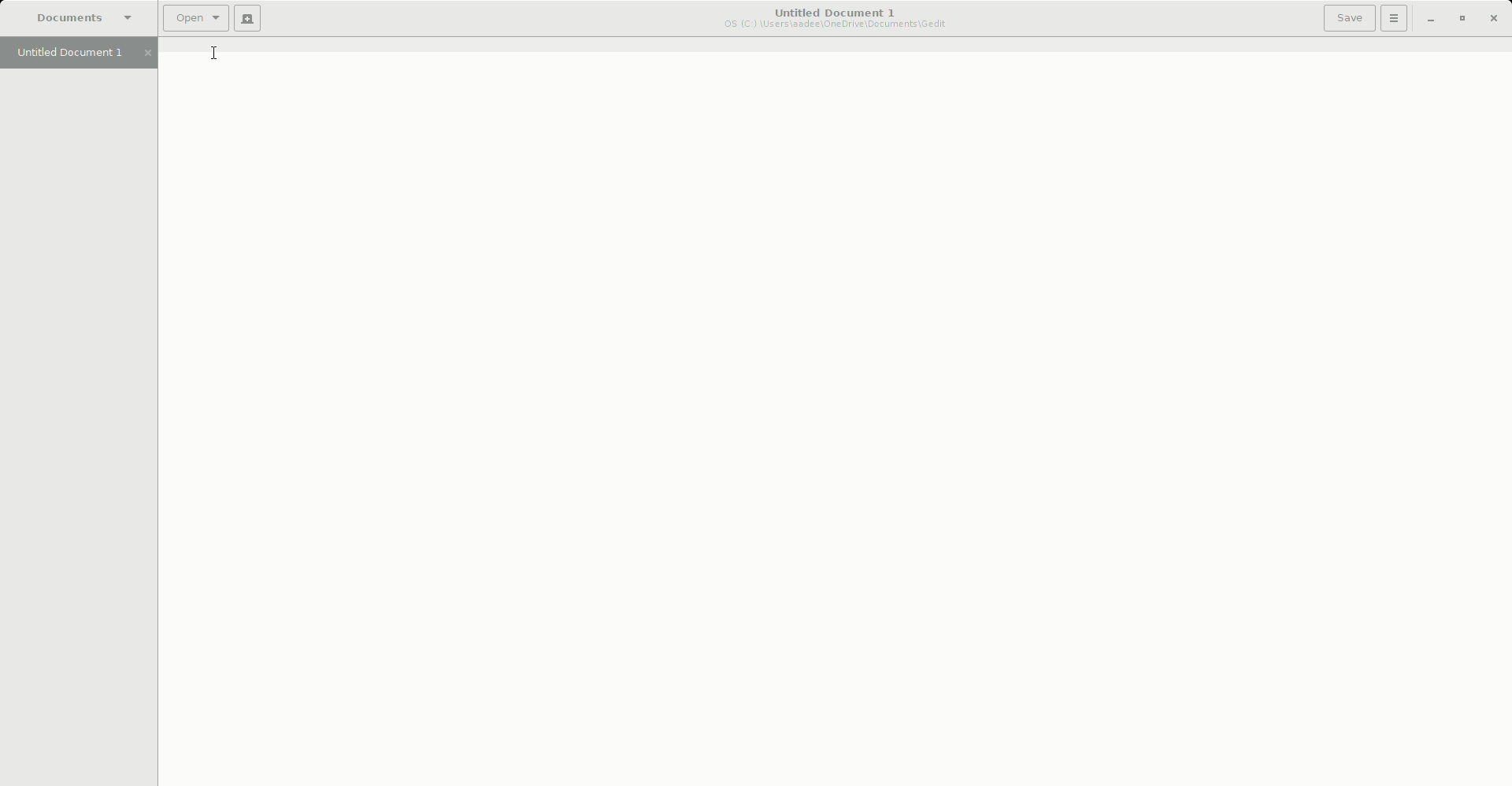  I want to click on Close, so click(1495, 19).